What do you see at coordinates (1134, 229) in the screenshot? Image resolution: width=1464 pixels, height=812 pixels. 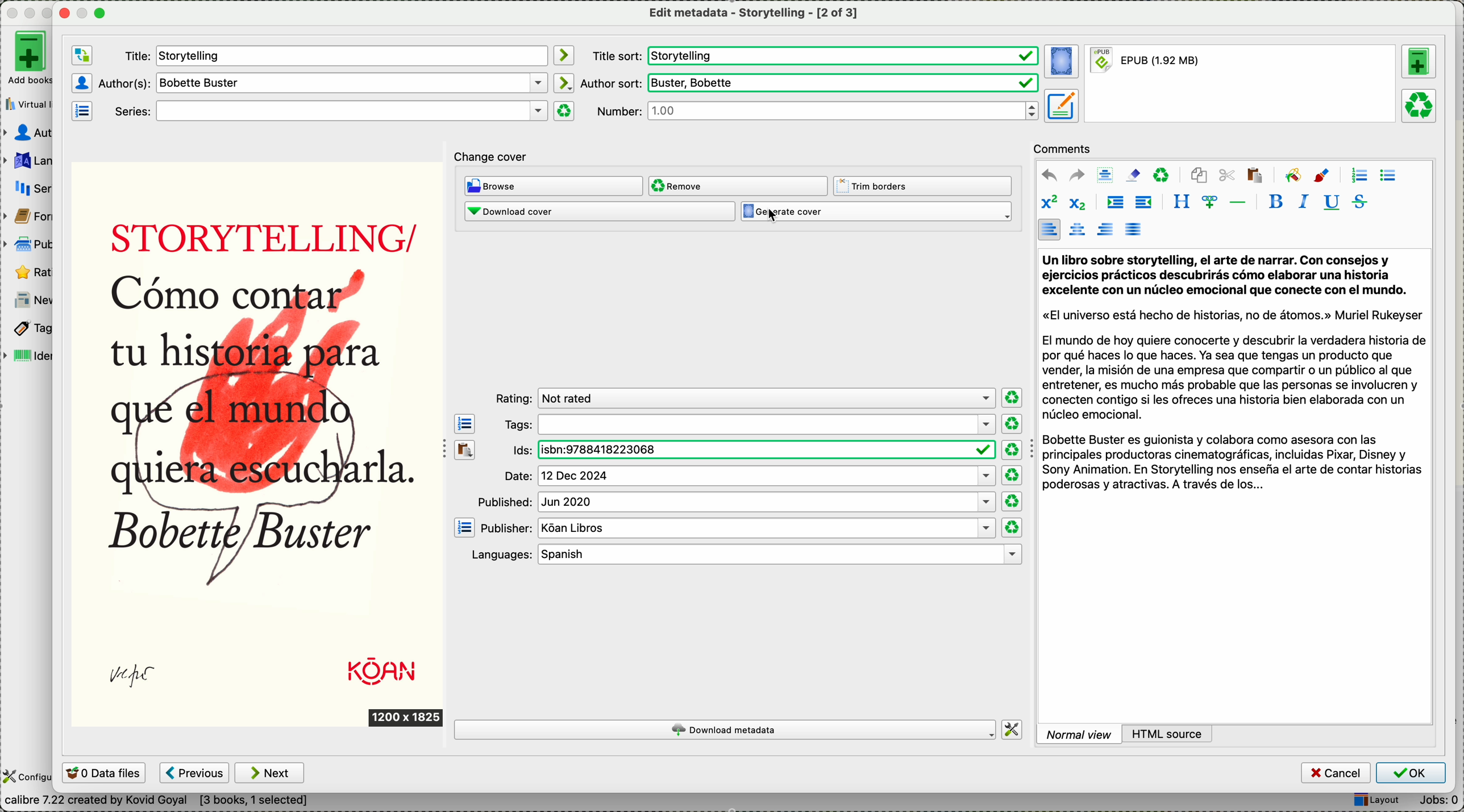 I see `align justified` at bounding box center [1134, 229].